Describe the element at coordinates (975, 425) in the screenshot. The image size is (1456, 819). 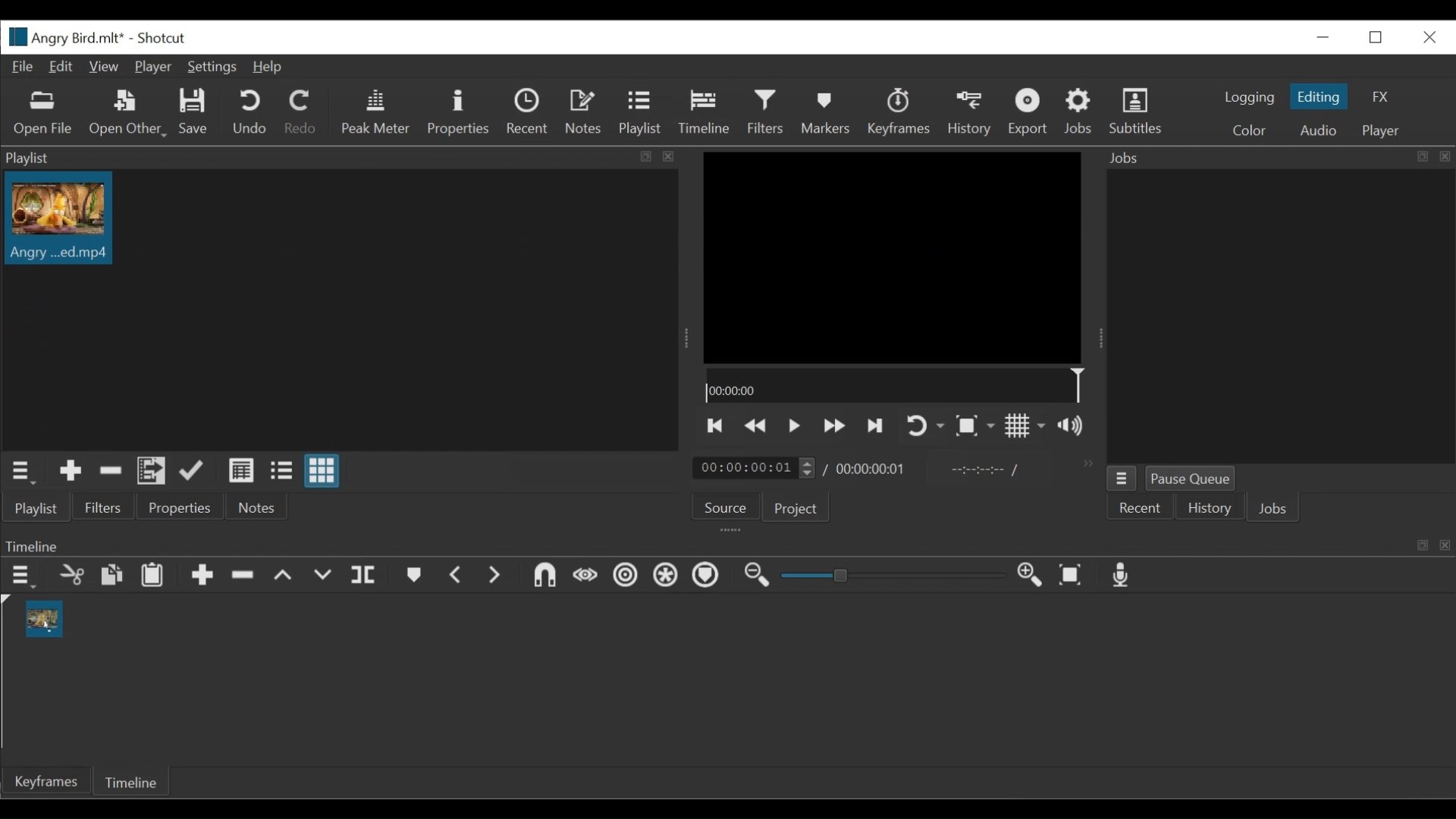
I see `Toggle zoom` at that location.